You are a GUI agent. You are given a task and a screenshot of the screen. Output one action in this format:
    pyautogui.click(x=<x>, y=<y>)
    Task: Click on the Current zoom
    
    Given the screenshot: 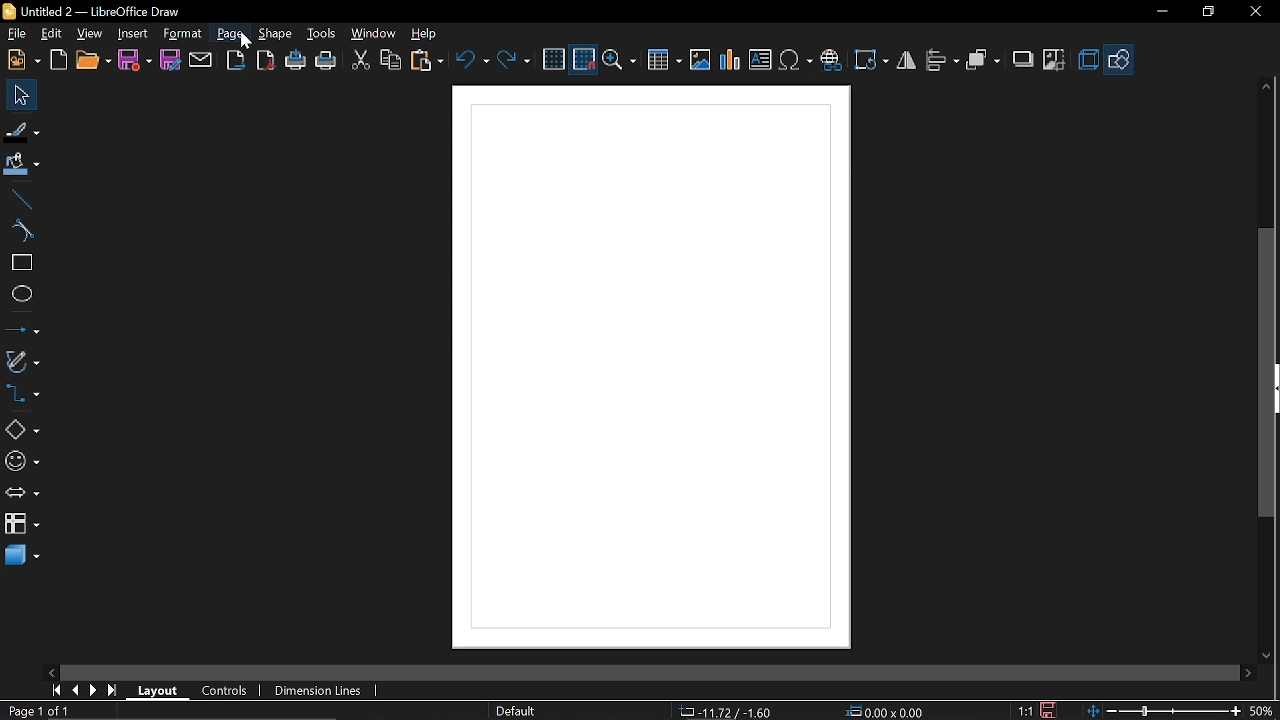 What is the action you would take?
    pyautogui.click(x=1263, y=710)
    